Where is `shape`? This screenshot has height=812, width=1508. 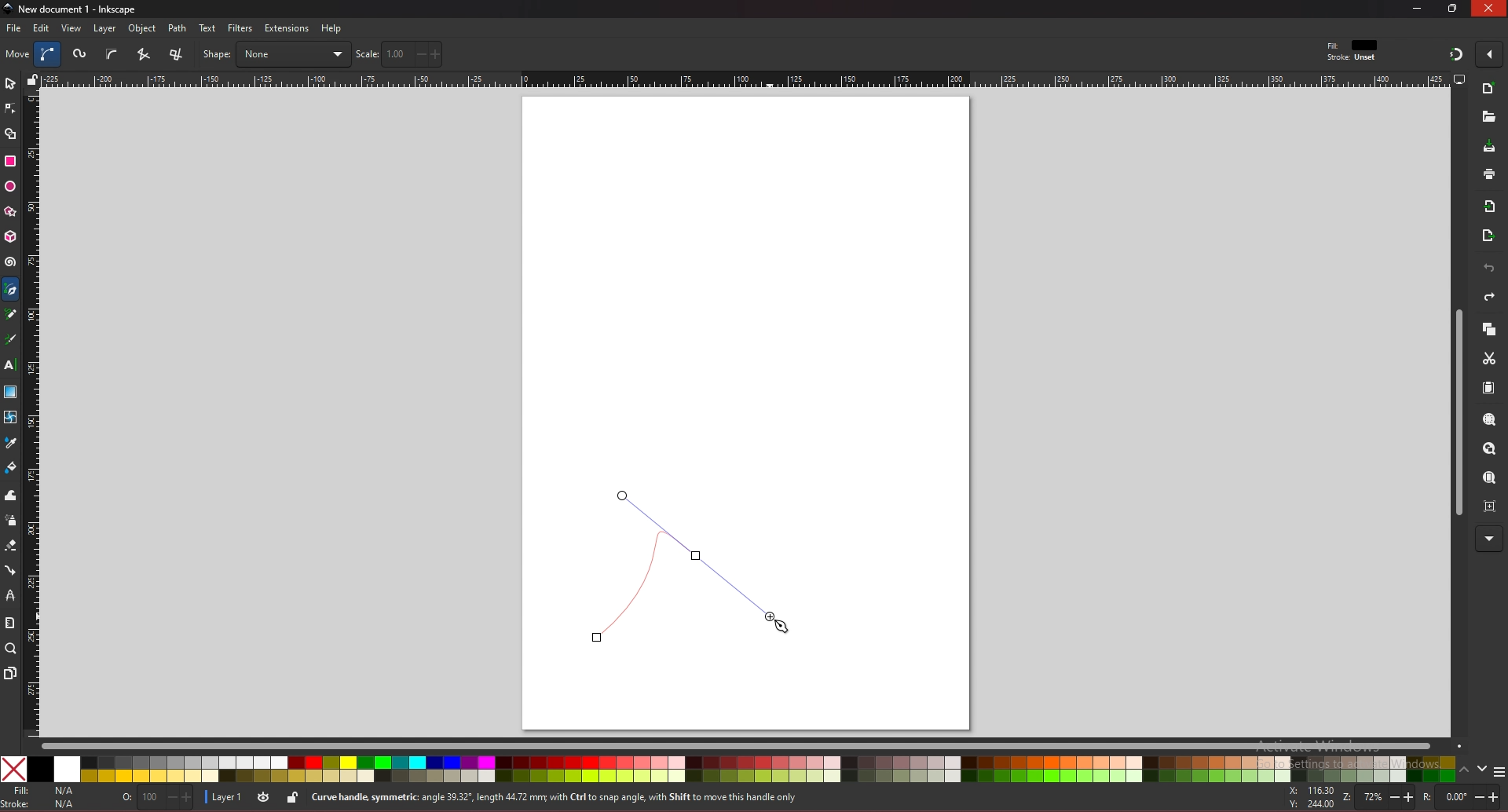 shape is located at coordinates (276, 54).